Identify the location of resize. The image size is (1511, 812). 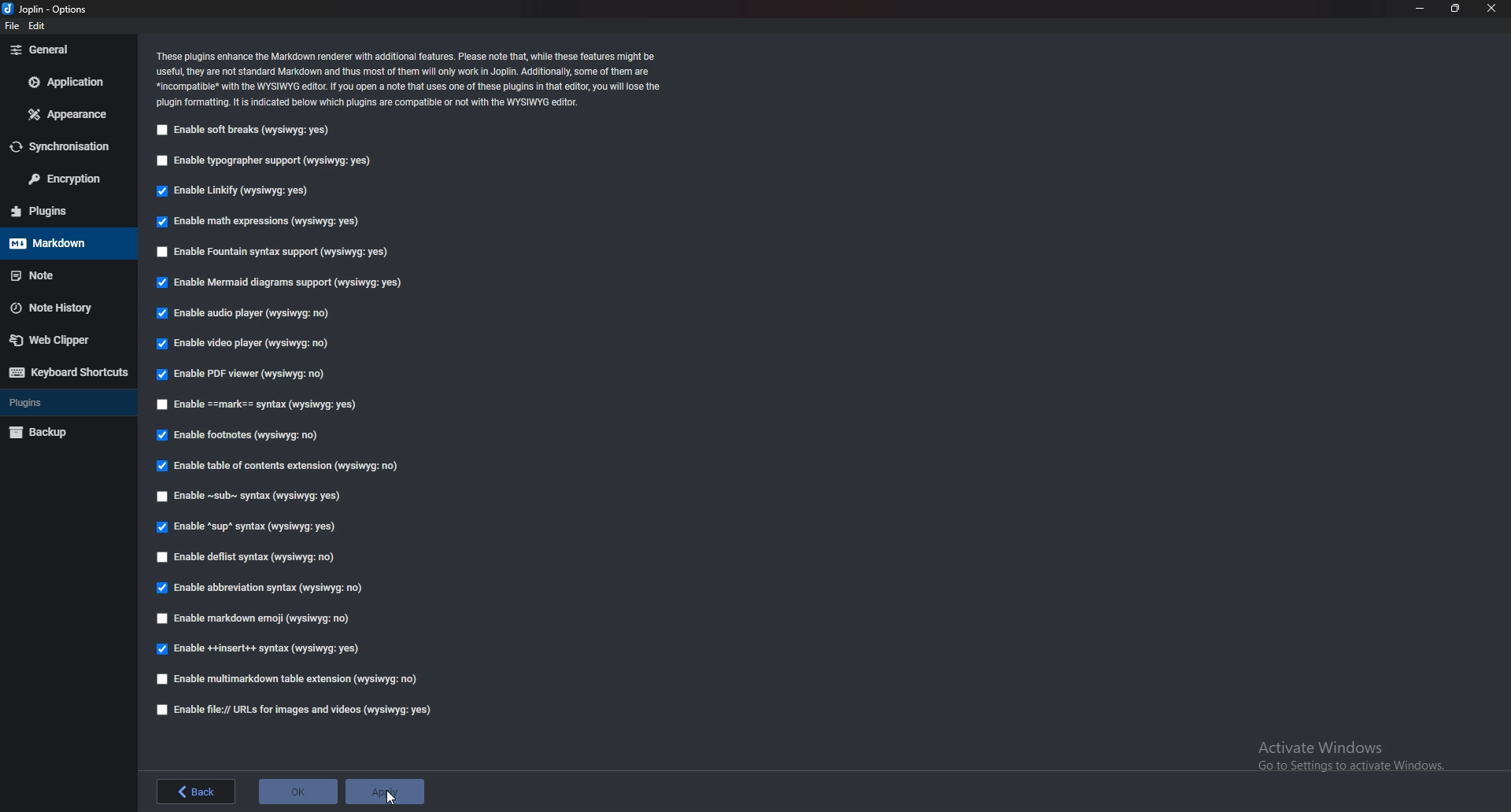
(1454, 8).